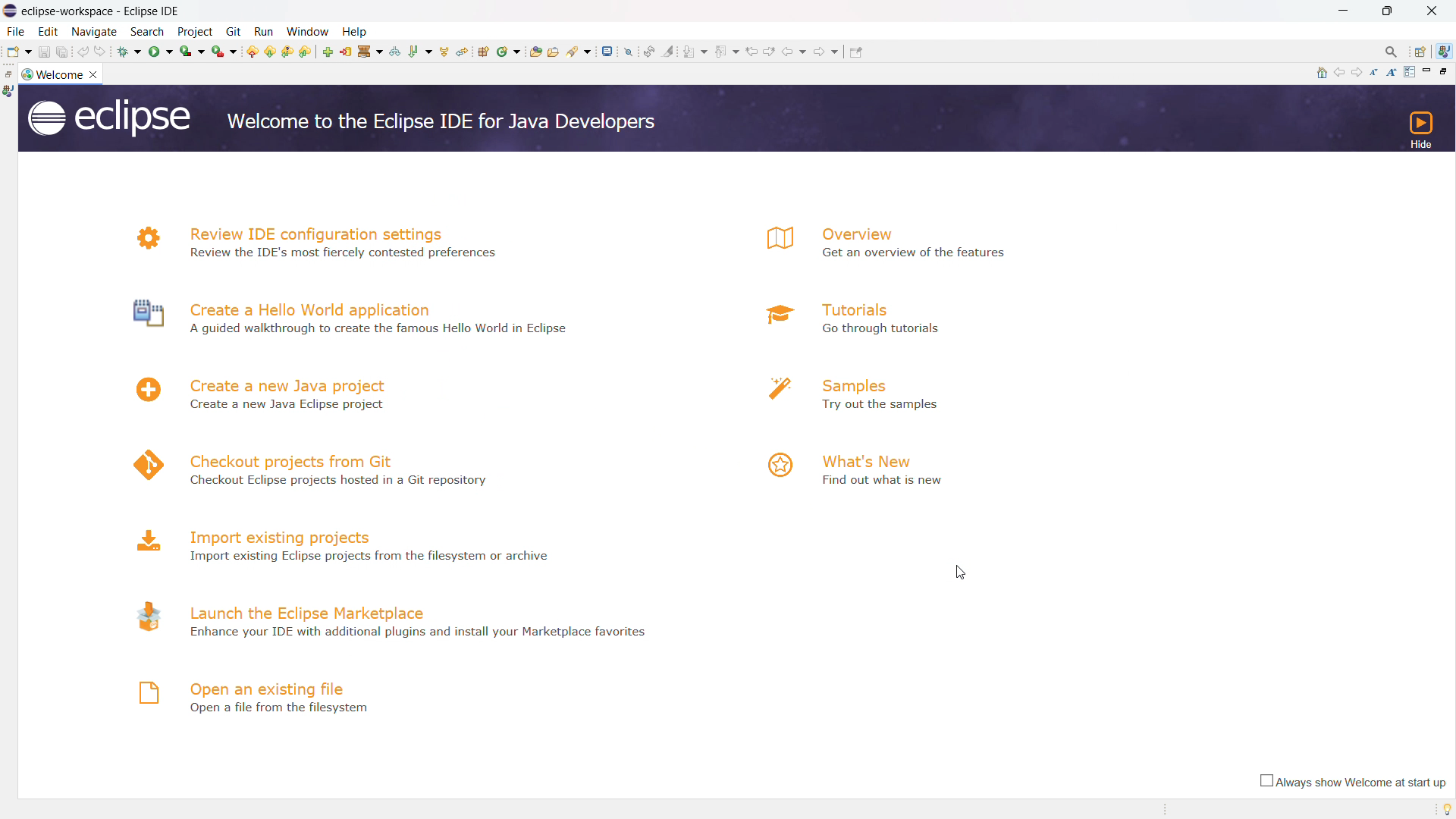 This screenshot has width=1456, height=819. What do you see at coordinates (192, 51) in the screenshot?
I see `coverage` at bounding box center [192, 51].